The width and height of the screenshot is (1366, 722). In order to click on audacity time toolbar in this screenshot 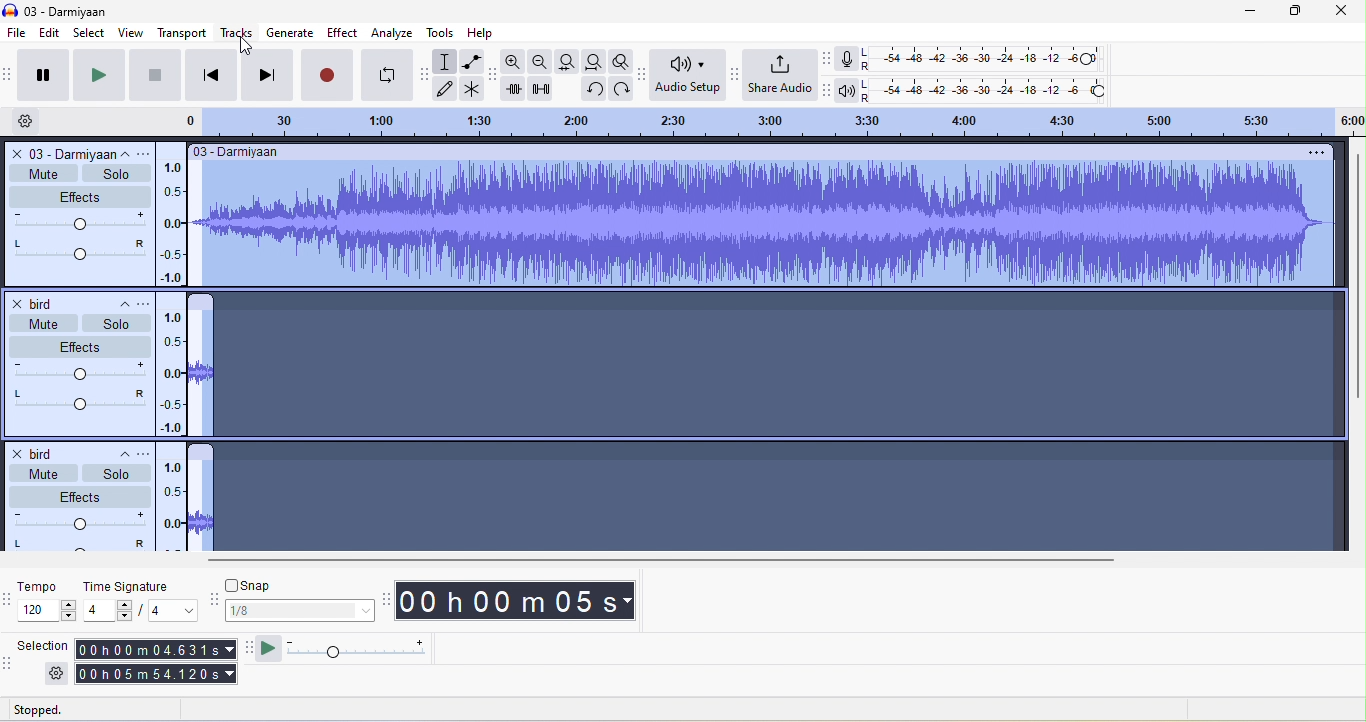, I will do `click(388, 598)`.